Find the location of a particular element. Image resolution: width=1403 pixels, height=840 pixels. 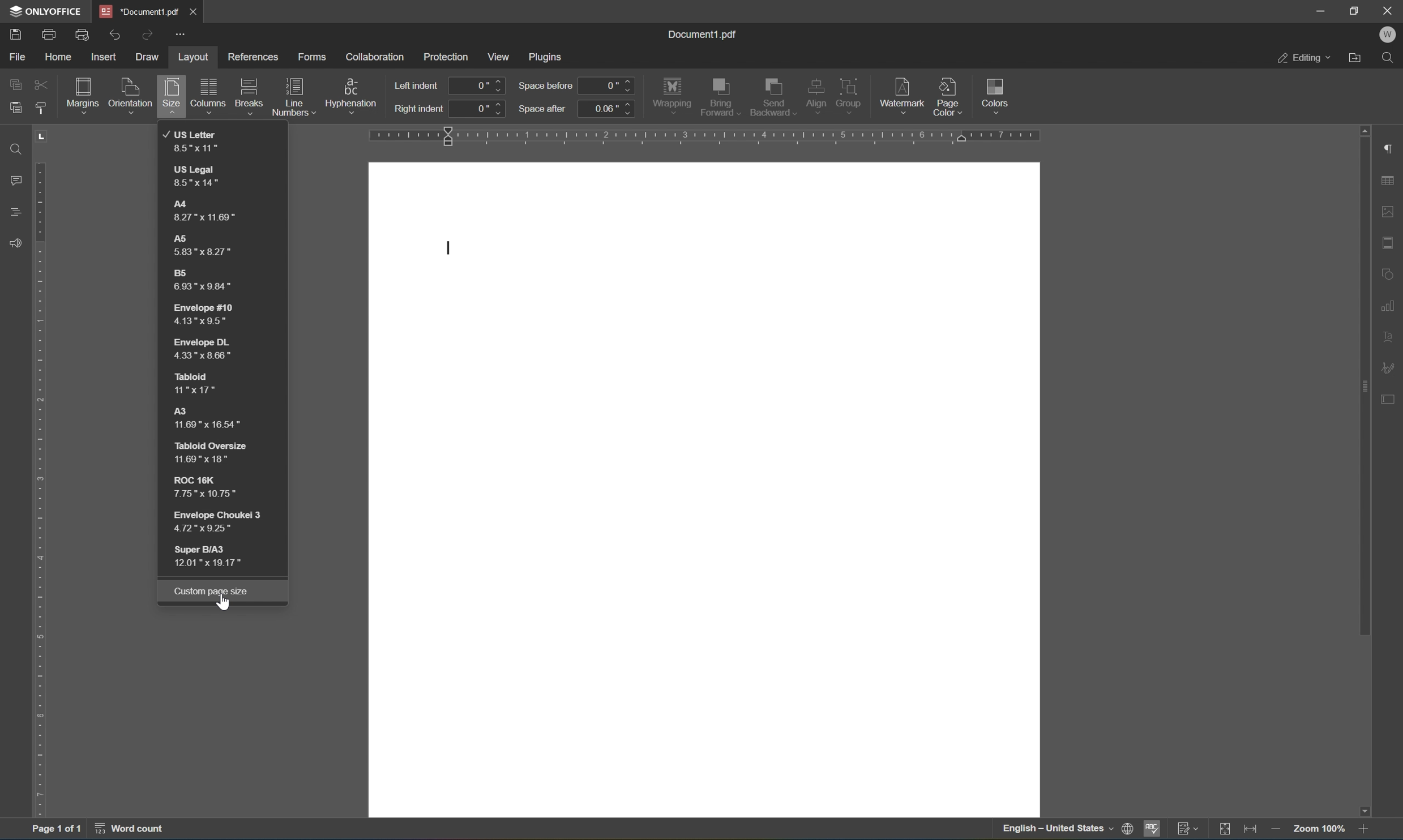

margins is located at coordinates (82, 93).